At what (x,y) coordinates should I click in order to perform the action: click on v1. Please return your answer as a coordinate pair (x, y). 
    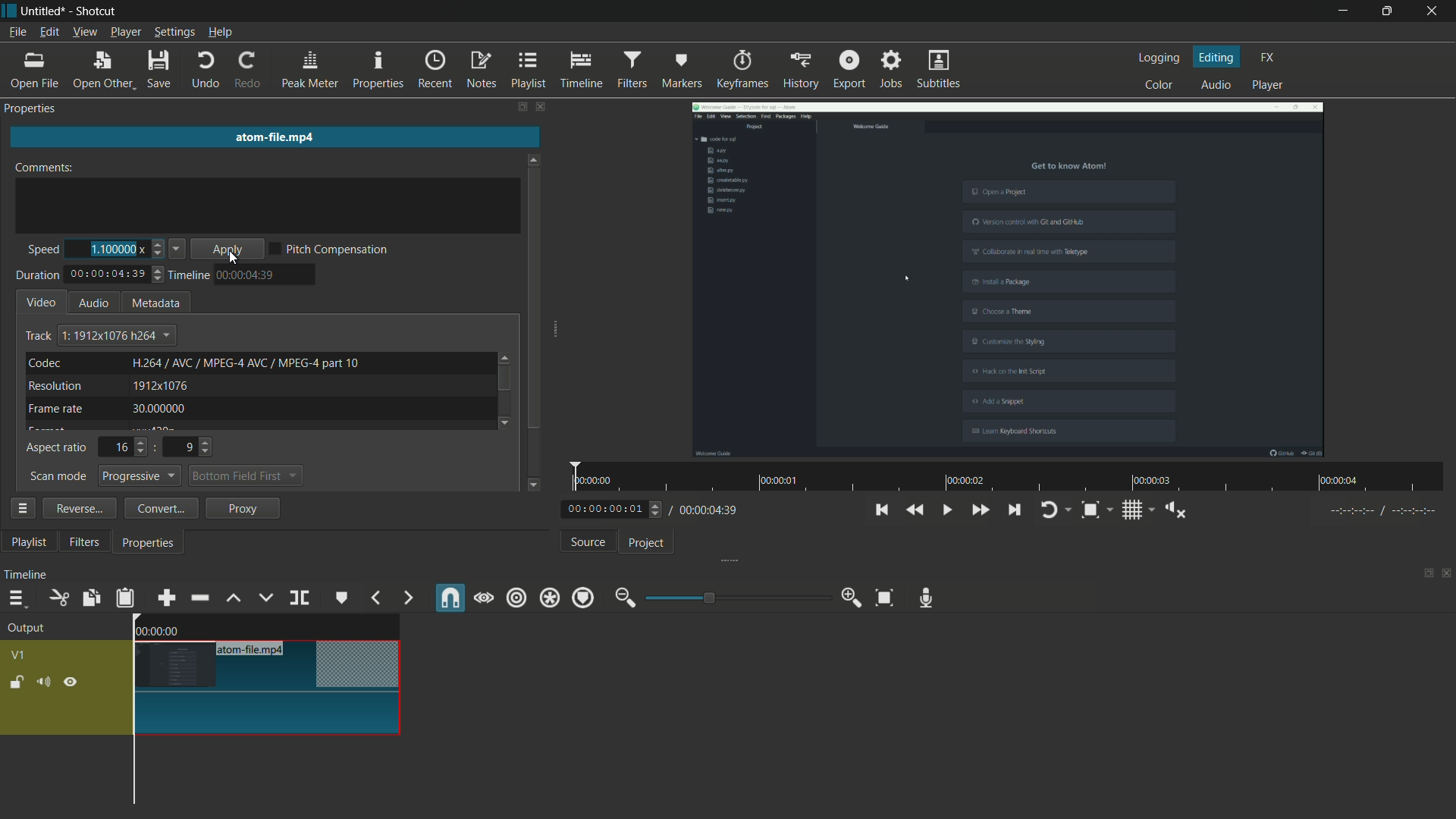
    Looking at the image, I should click on (20, 656).